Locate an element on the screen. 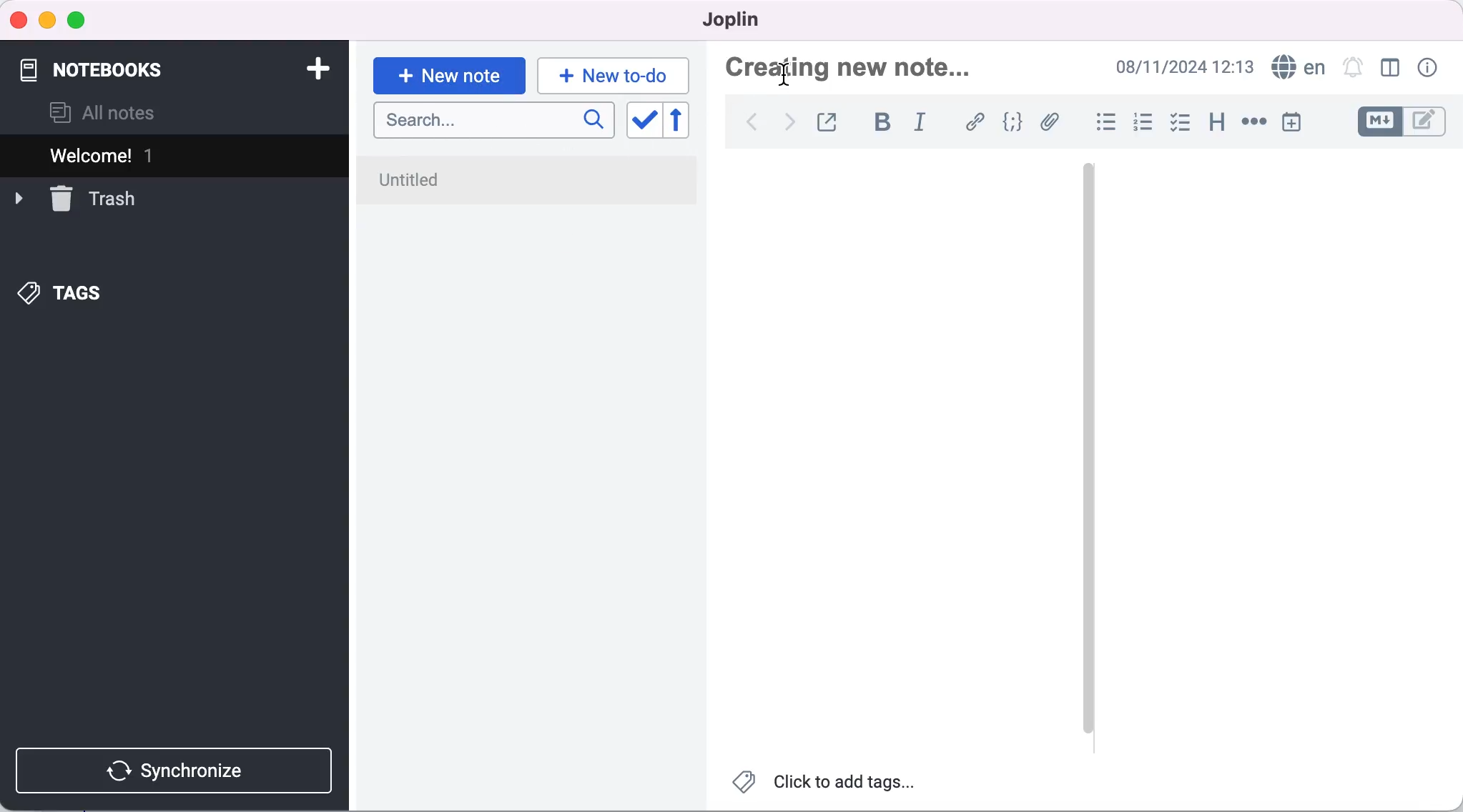 The image size is (1463, 812). forward is located at coordinates (787, 127).